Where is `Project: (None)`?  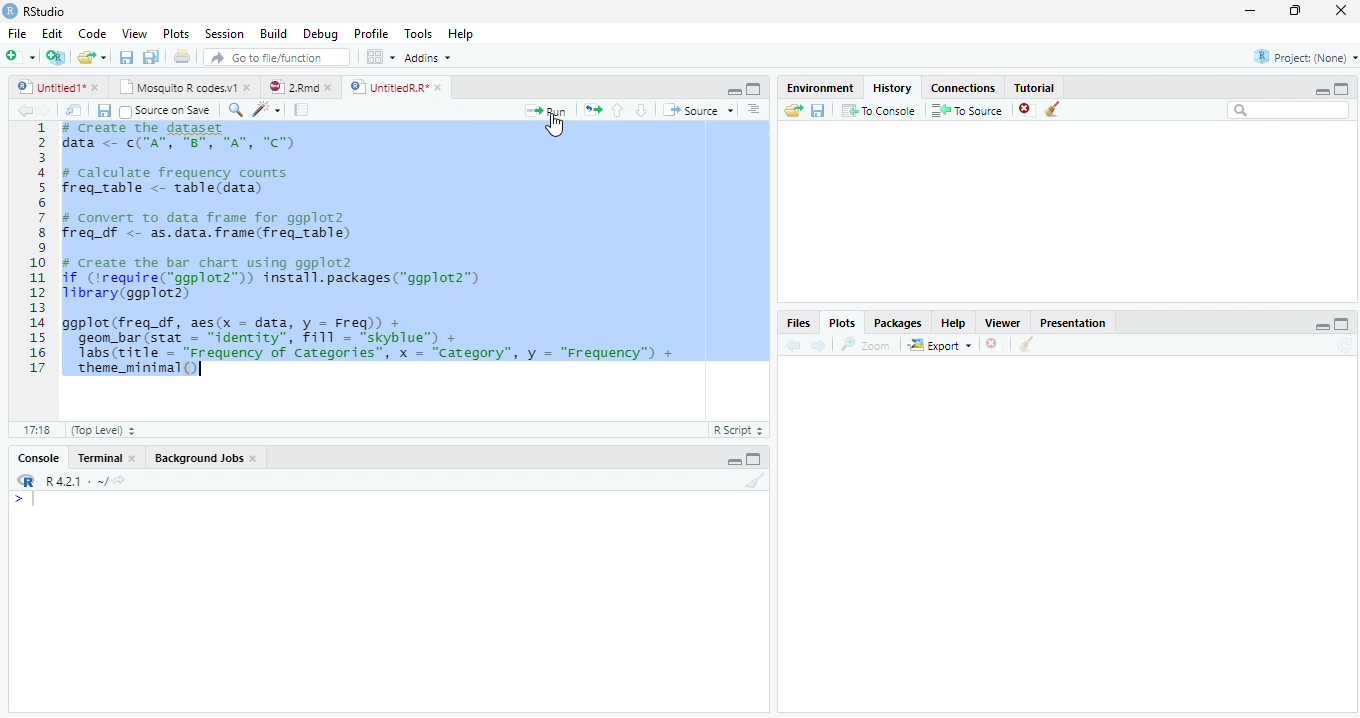
Project: (None) is located at coordinates (1299, 59).